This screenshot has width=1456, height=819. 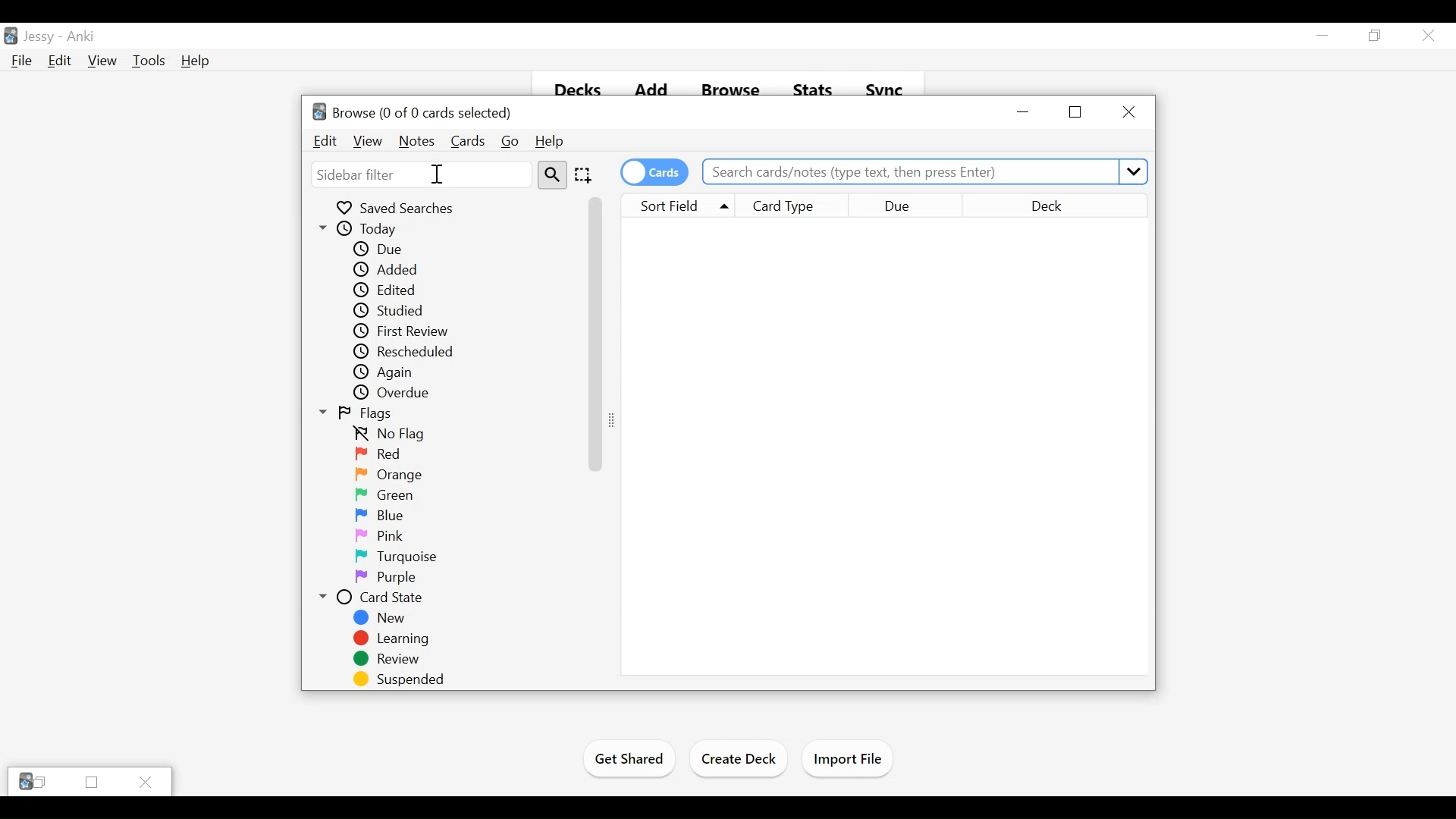 What do you see at coordinates (436, 174) in the screenshot?
I see `Insertion cursor` at bounding box center [436, 174].